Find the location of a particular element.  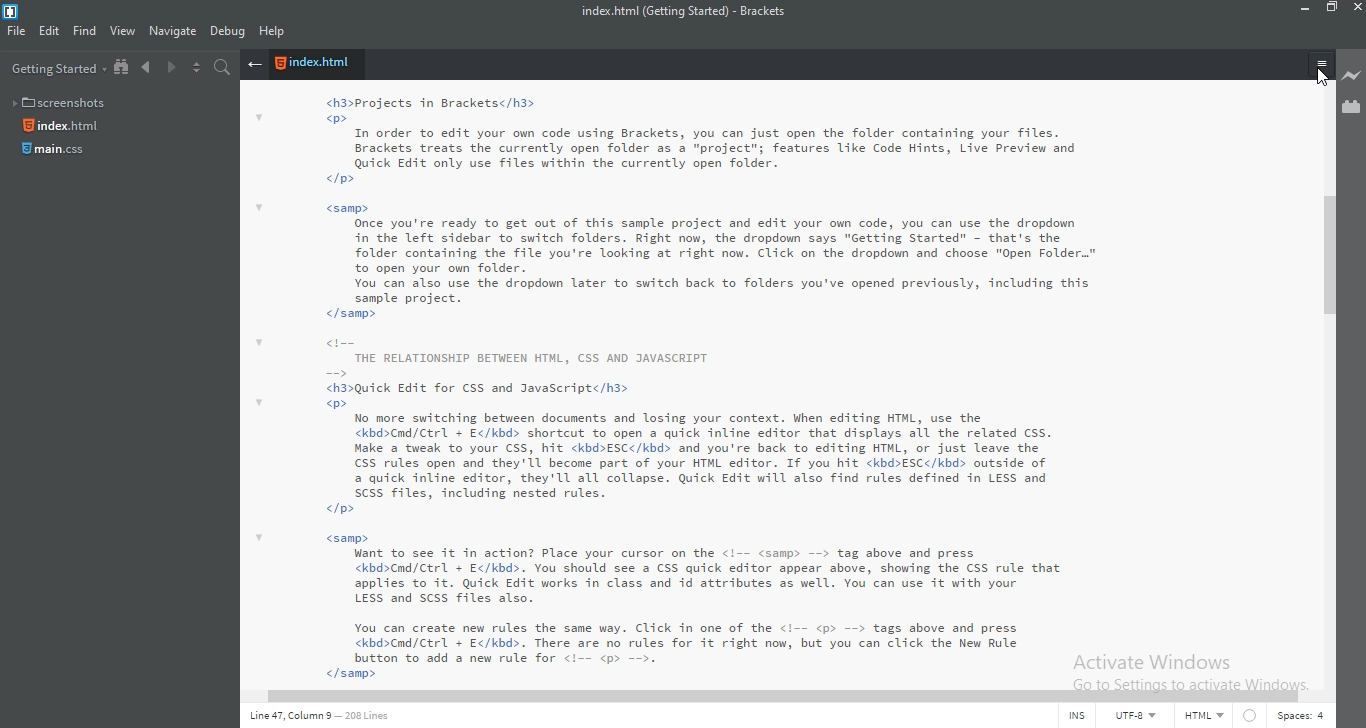

logo is located at coordinates (15, 11).